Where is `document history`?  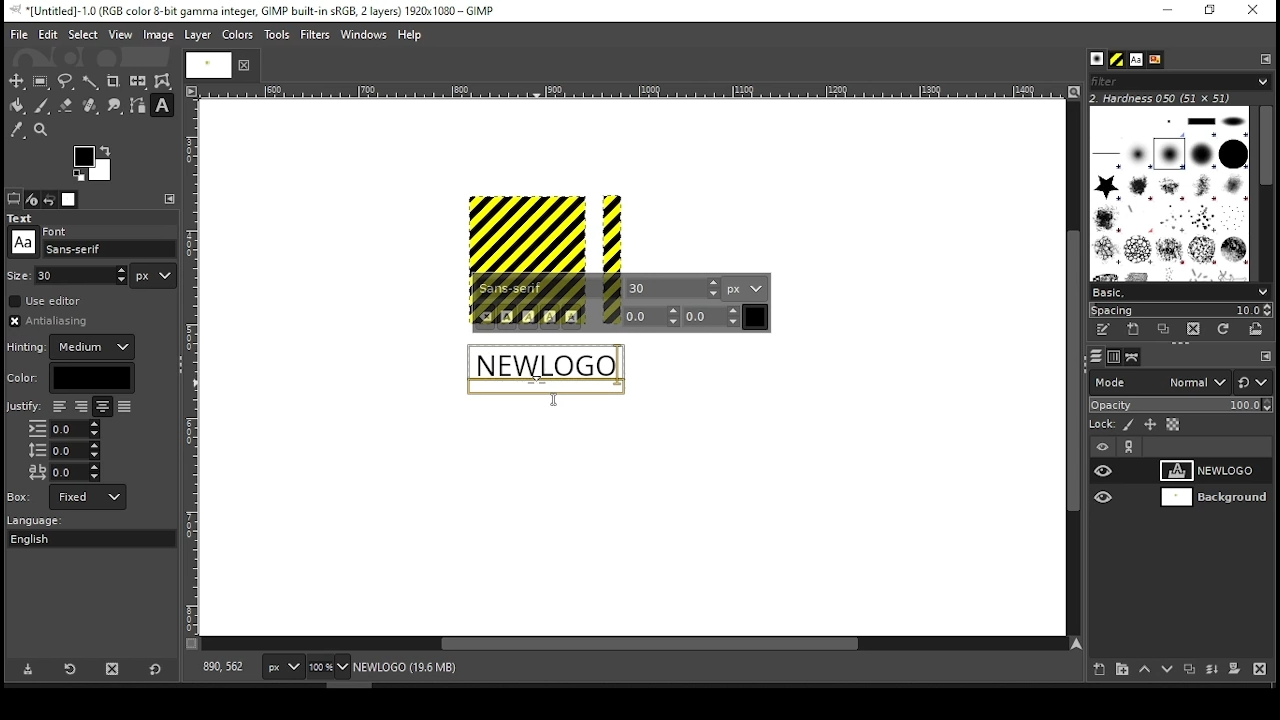 document history is located at coordinates (1154, 60).